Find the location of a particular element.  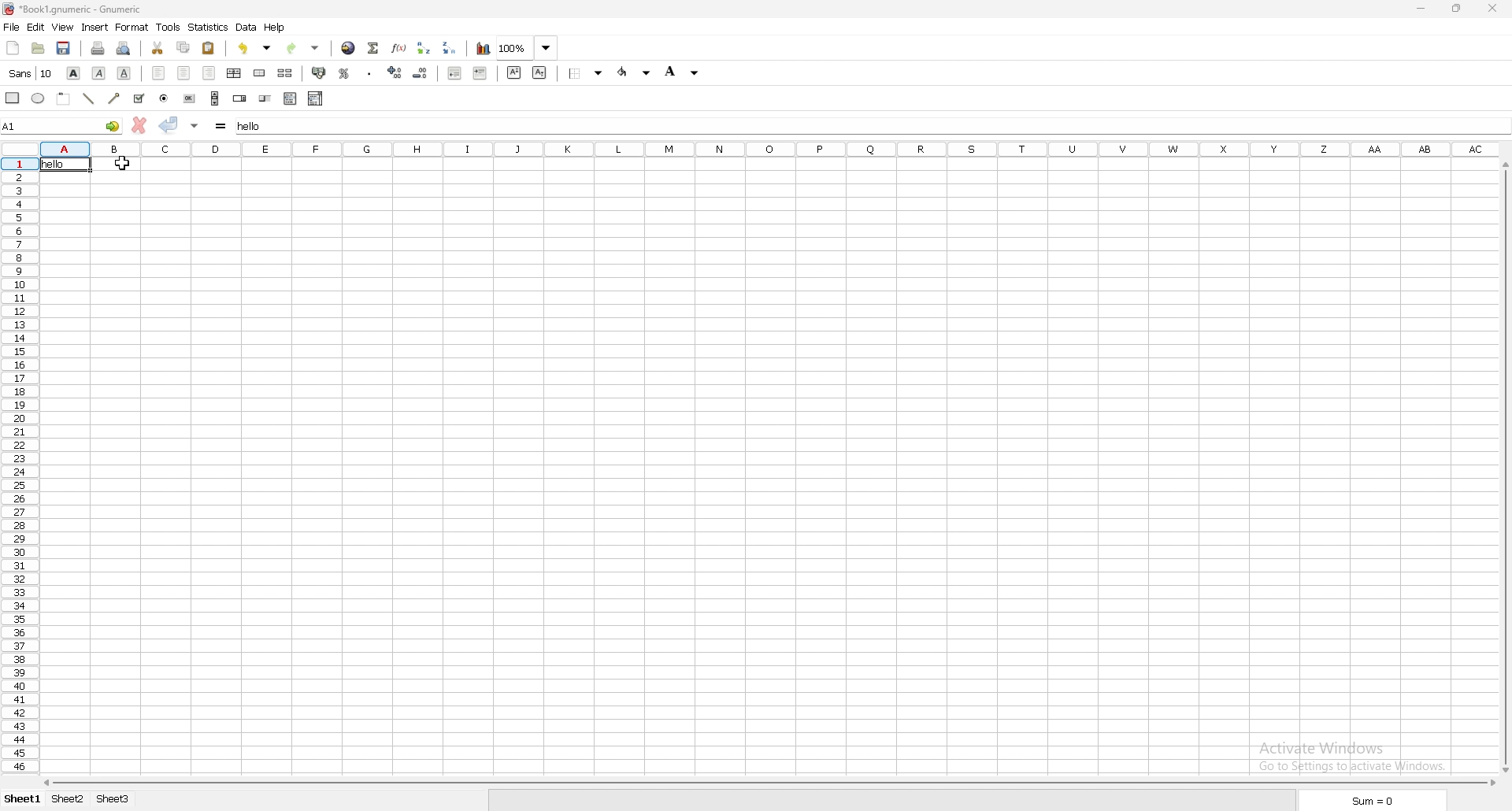

ellipse object is located at coordinates (38, 98).